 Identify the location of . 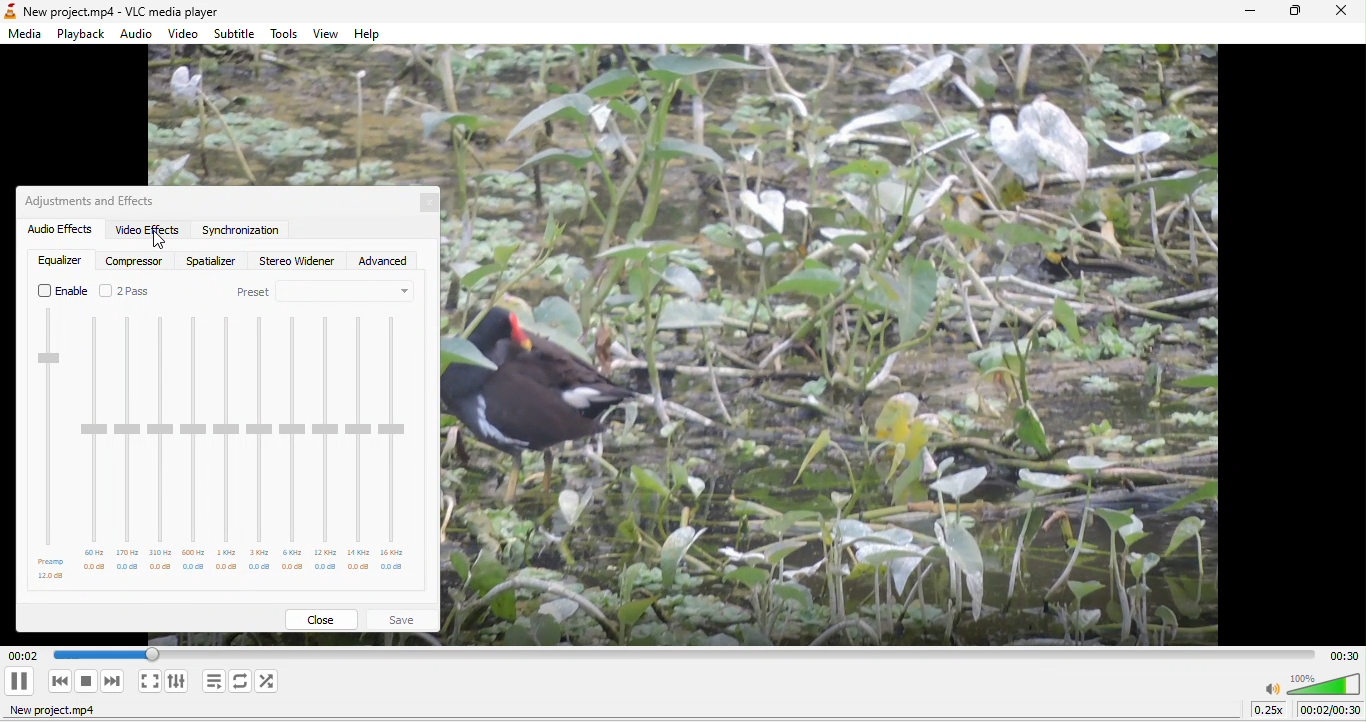
(22, 679).